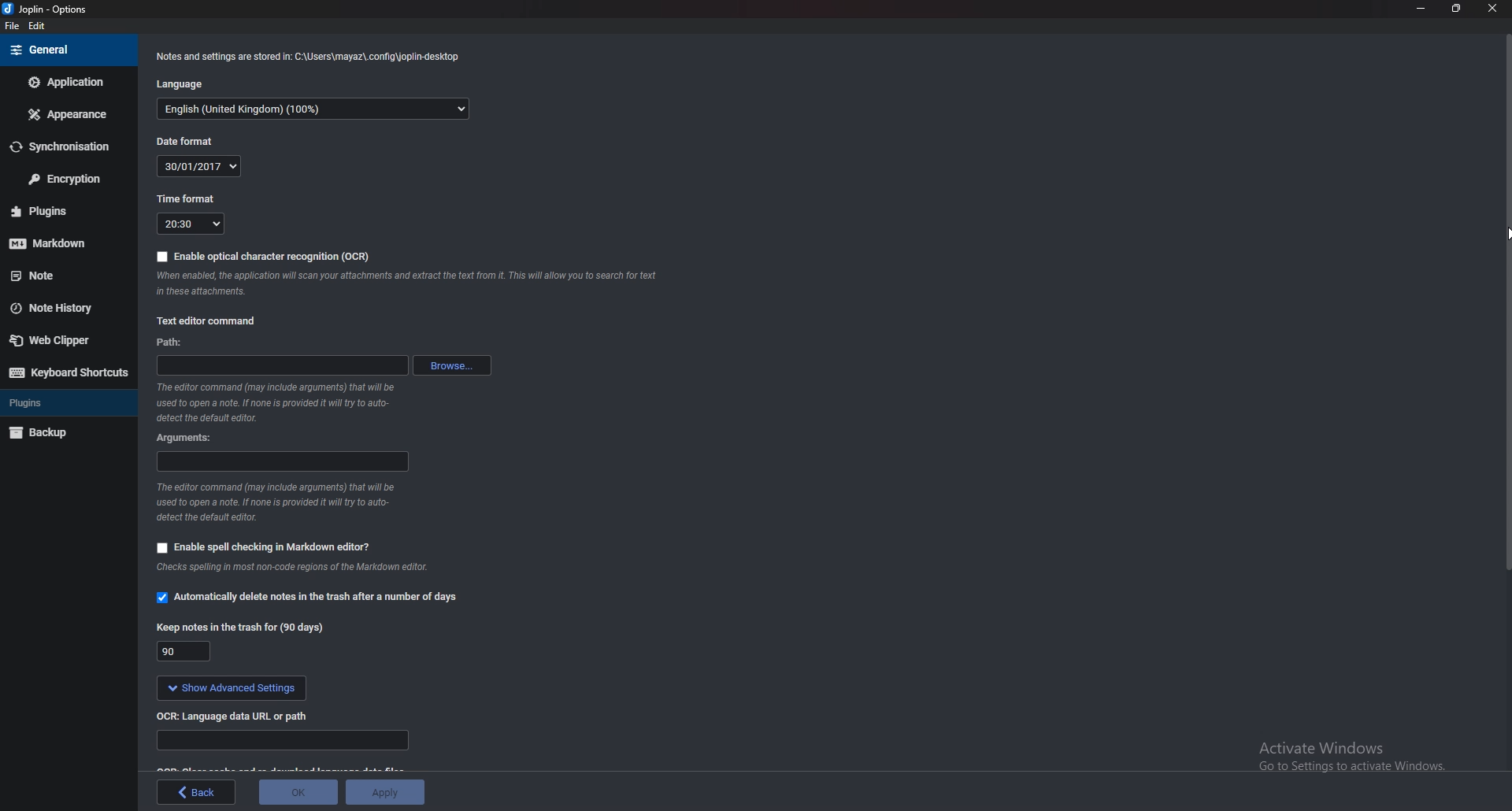  What do you see at coordinates (182, 83) in the screenshot?
I see `Language` at bounding box center [182, 83].